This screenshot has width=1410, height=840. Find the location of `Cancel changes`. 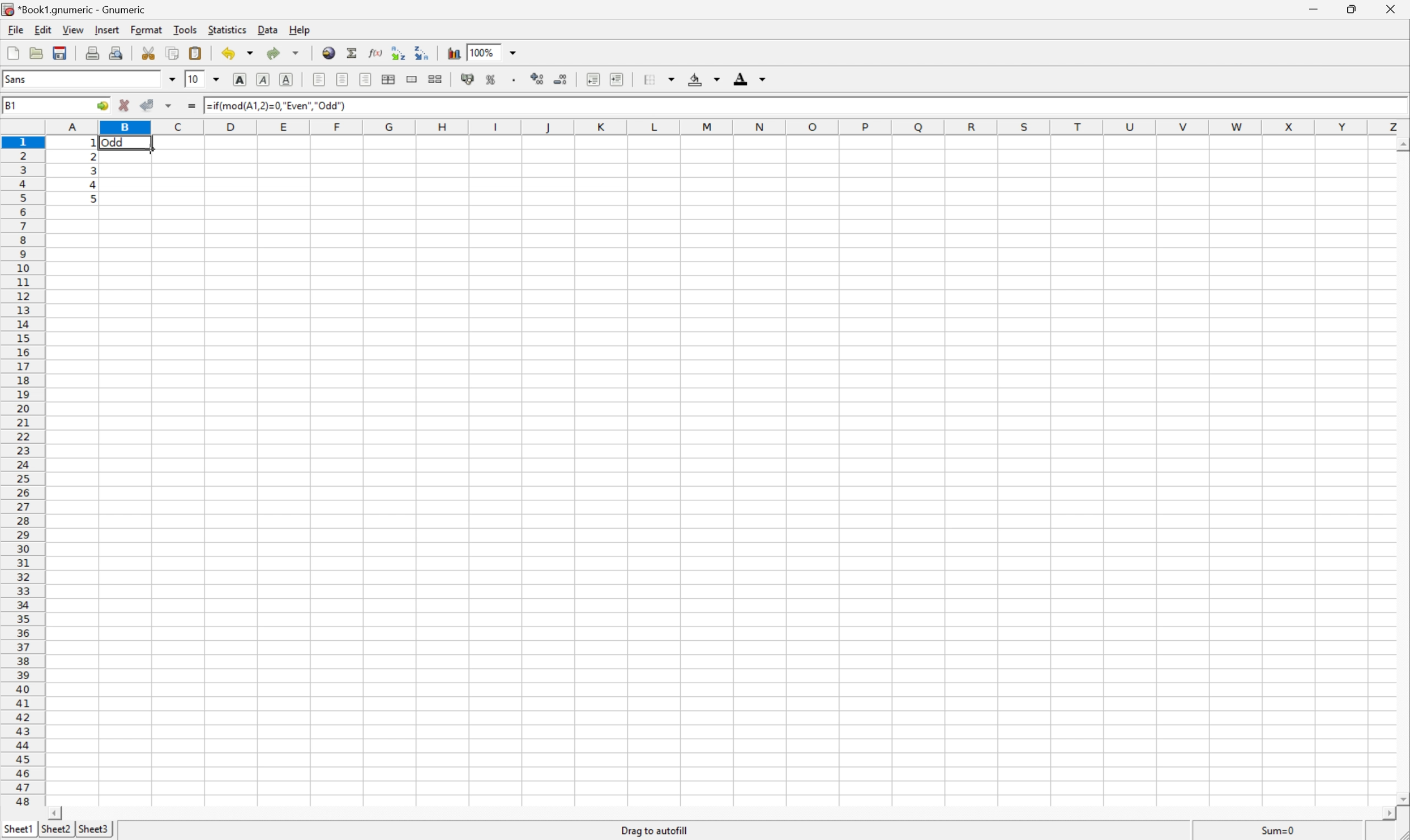

Cancel changes is located at coordinates (122, 104).